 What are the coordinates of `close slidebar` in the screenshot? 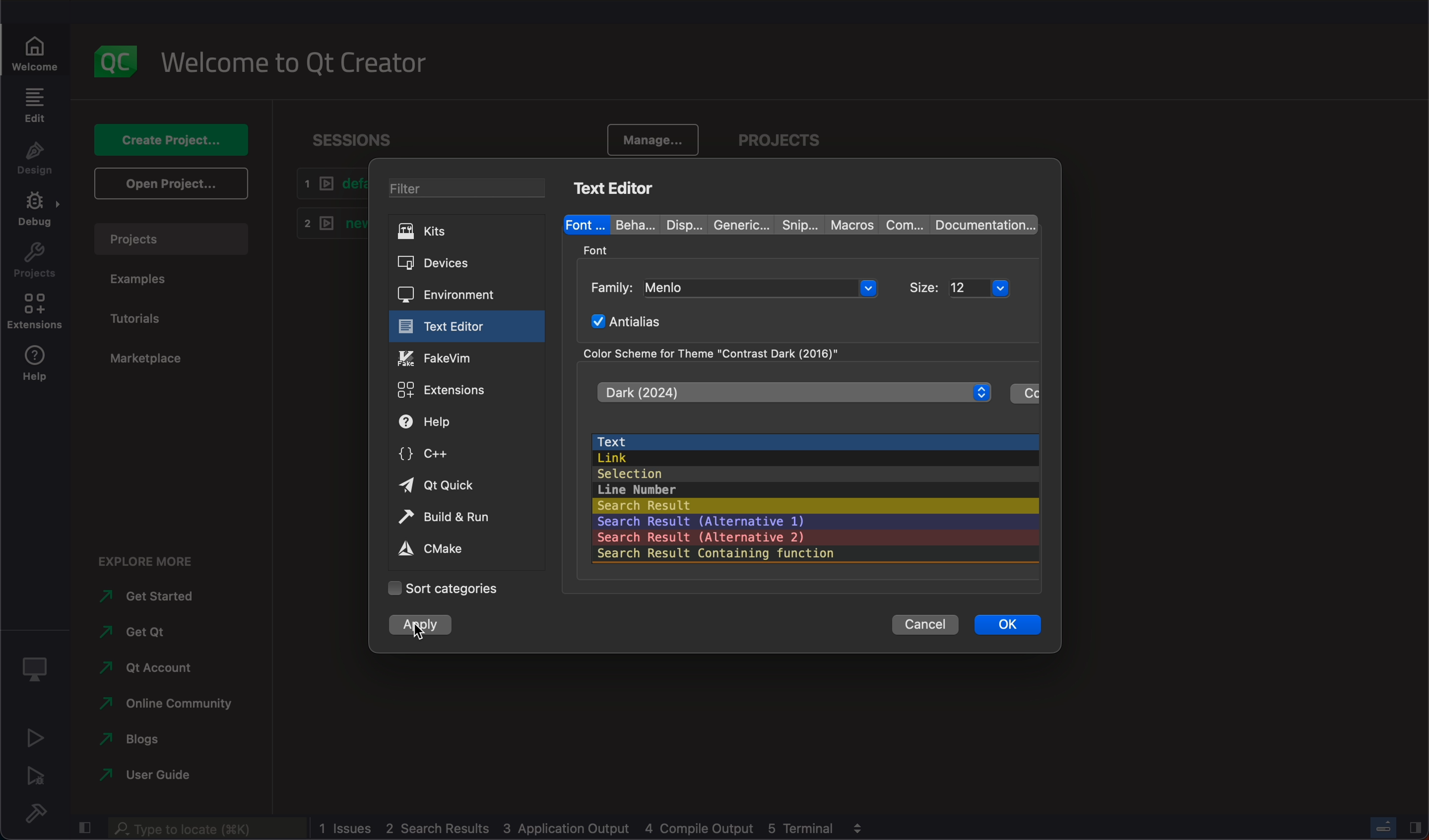 It's located at (83, 830).